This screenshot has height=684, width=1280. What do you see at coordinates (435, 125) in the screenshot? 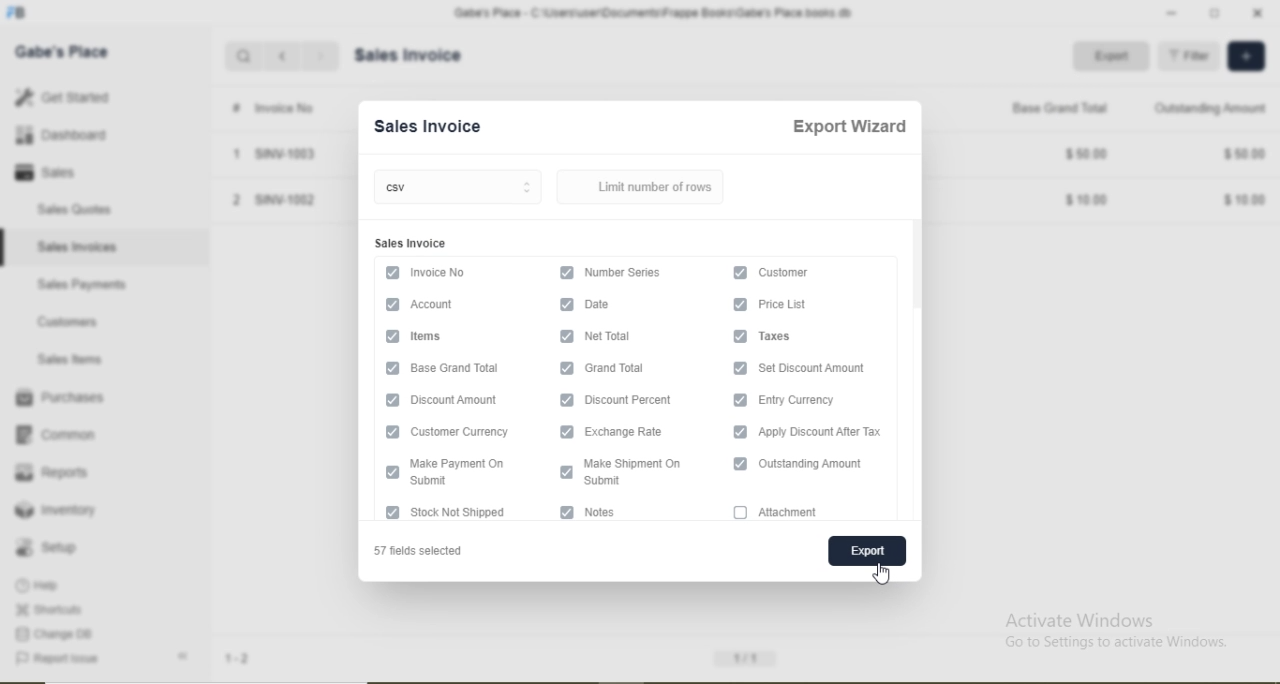
I see `Sales Invoice` at bounding box center [435, 125].